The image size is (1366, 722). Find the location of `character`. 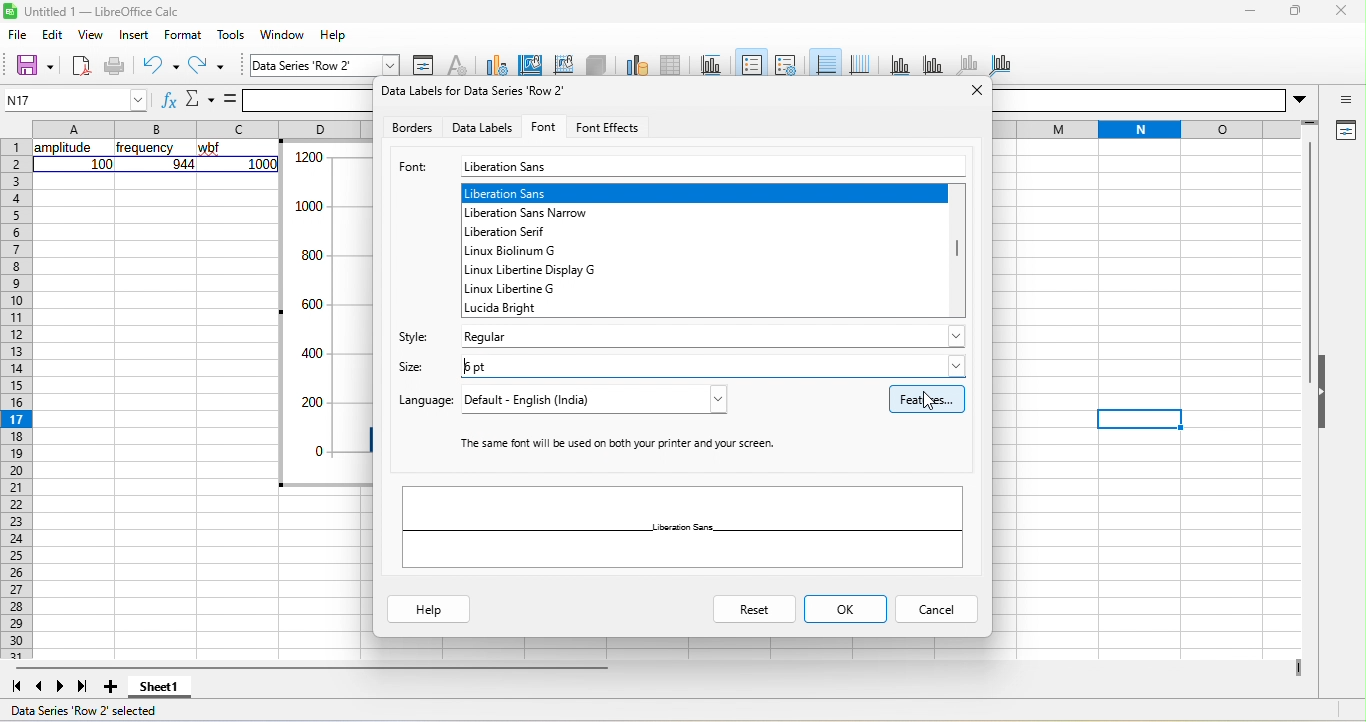

character is located at coordinates (459, 62).